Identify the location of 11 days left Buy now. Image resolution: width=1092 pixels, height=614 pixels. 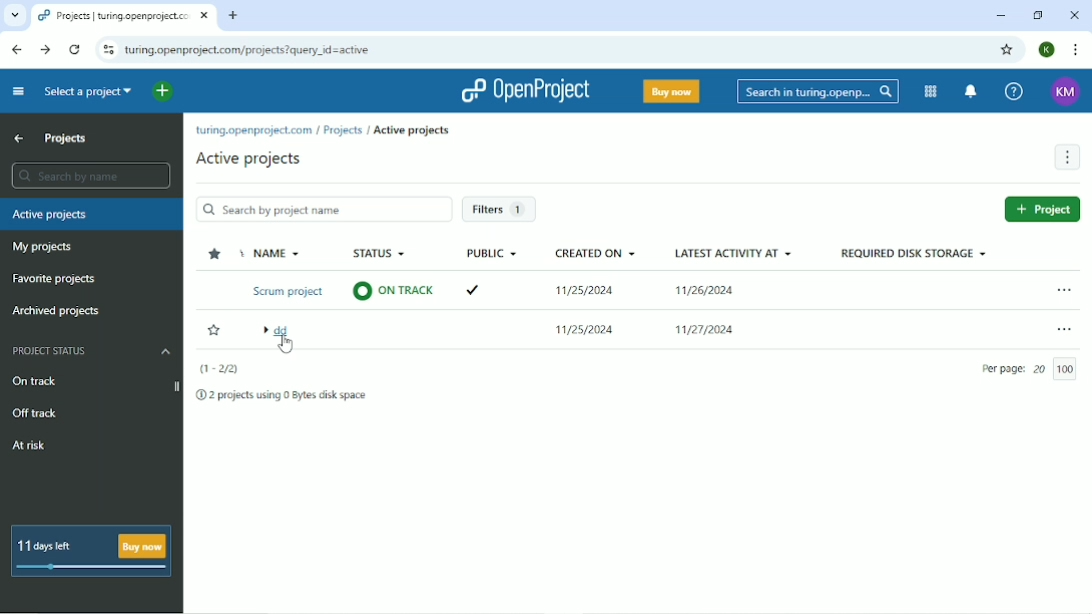
(93, 551).